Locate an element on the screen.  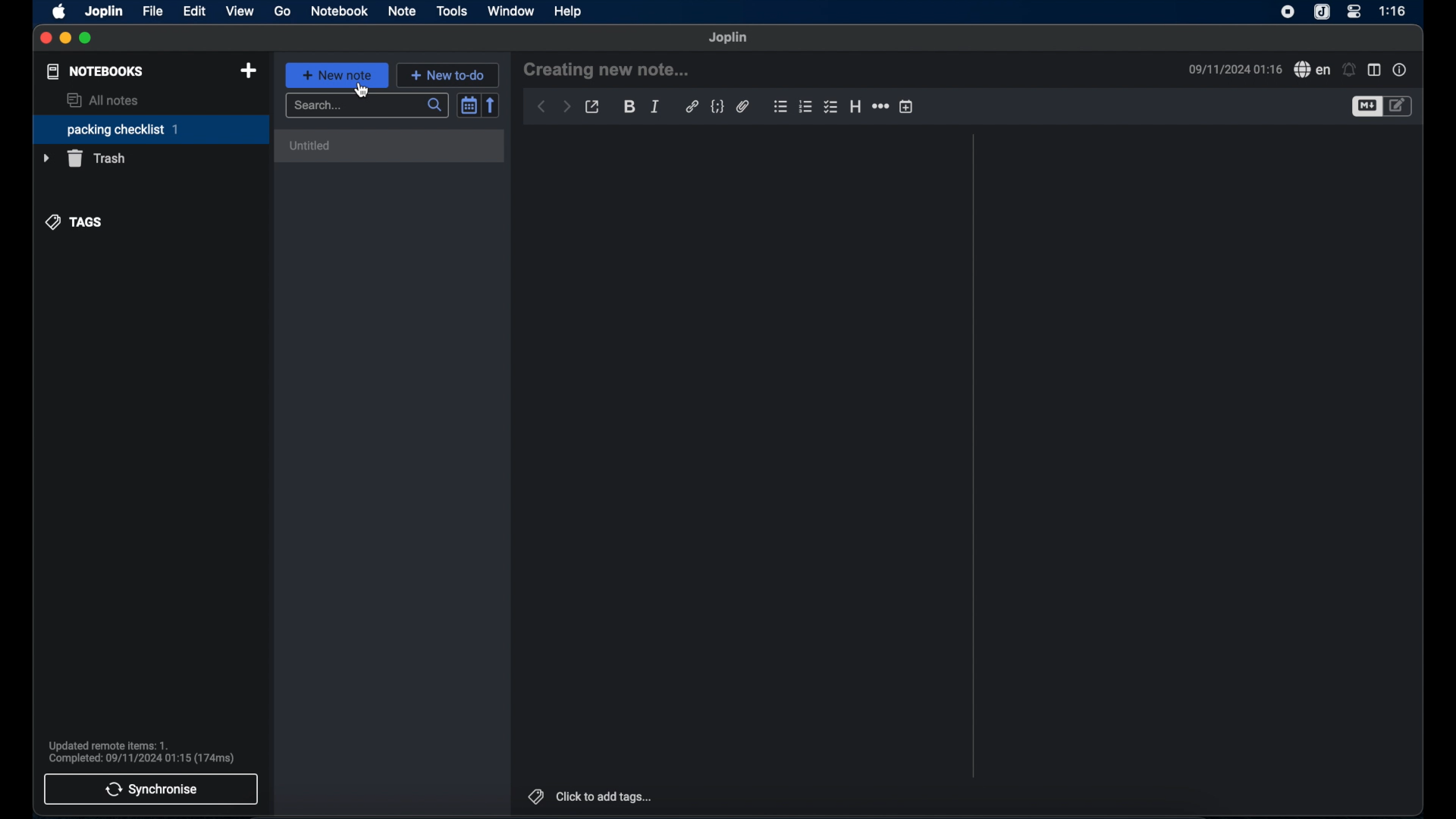
cursor is located at coordinates (366, 93).